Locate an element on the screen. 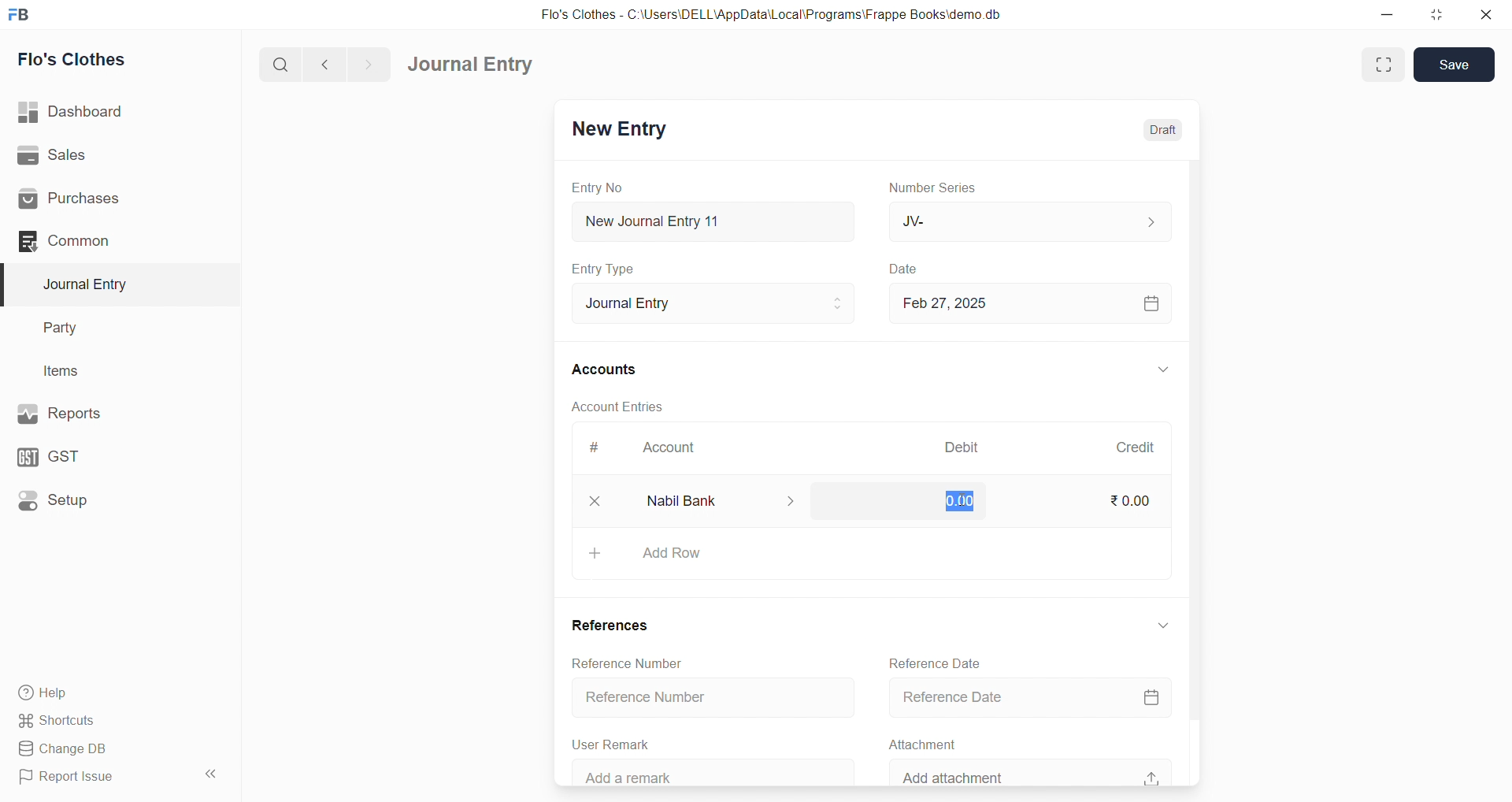 This screenshot has height=802, width=1512. Purchases is located at coordinates (95, 200).